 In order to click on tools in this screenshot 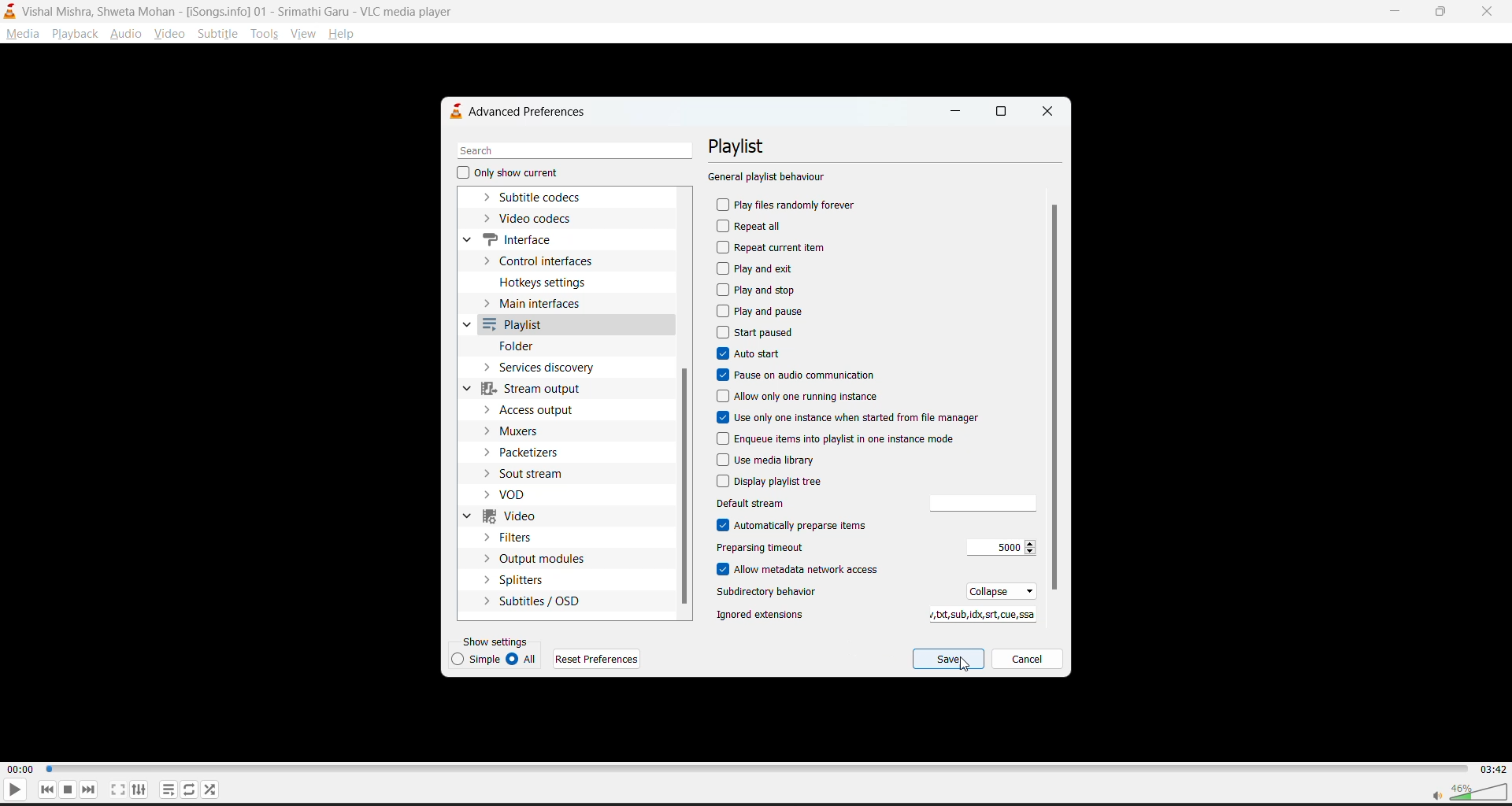, I will do `click(261, 35)`.